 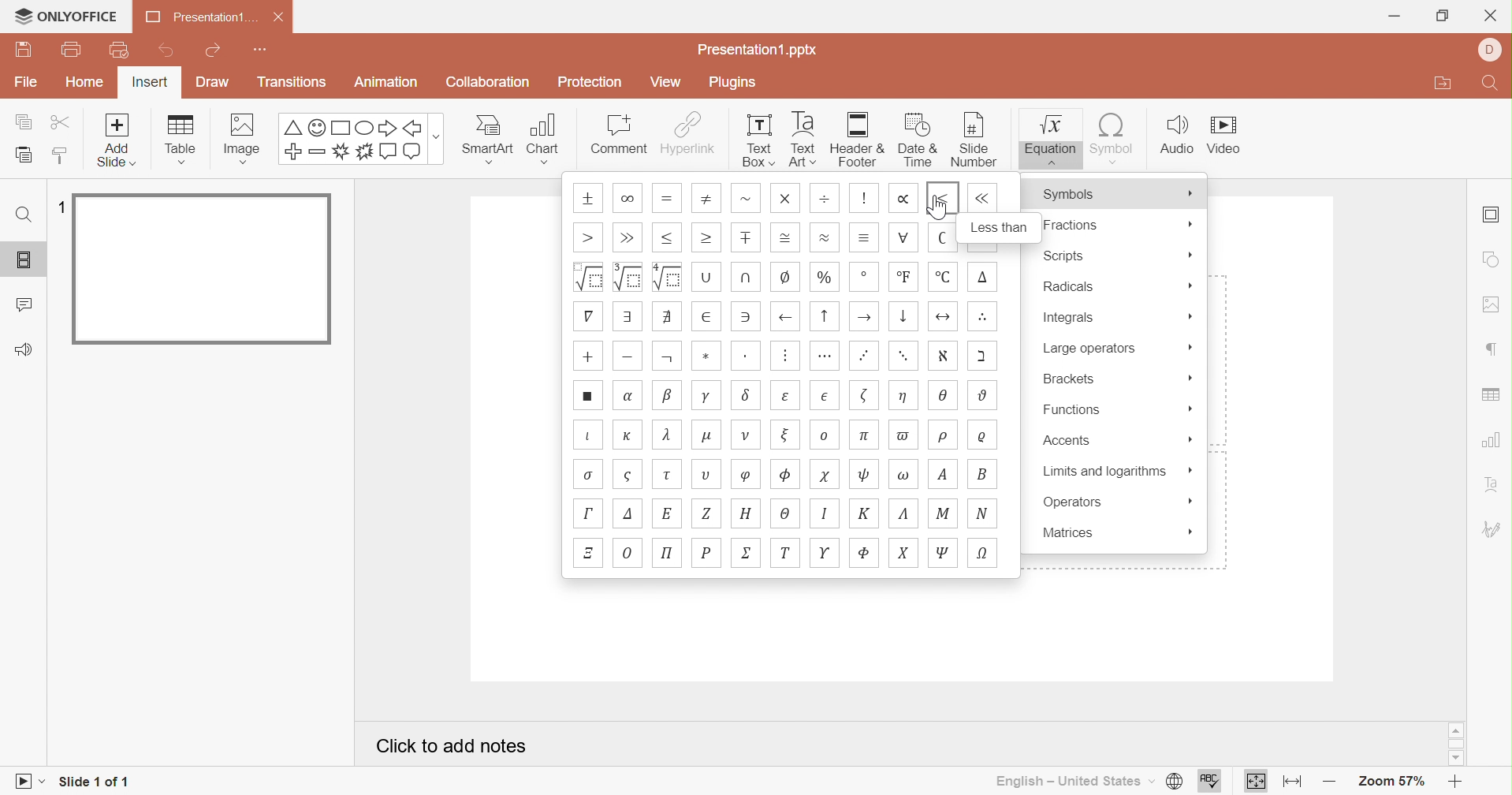 What do you see at coordinates (1490, 15) in the screenshot?
I see `Close` at bounding box center [1490, 15].